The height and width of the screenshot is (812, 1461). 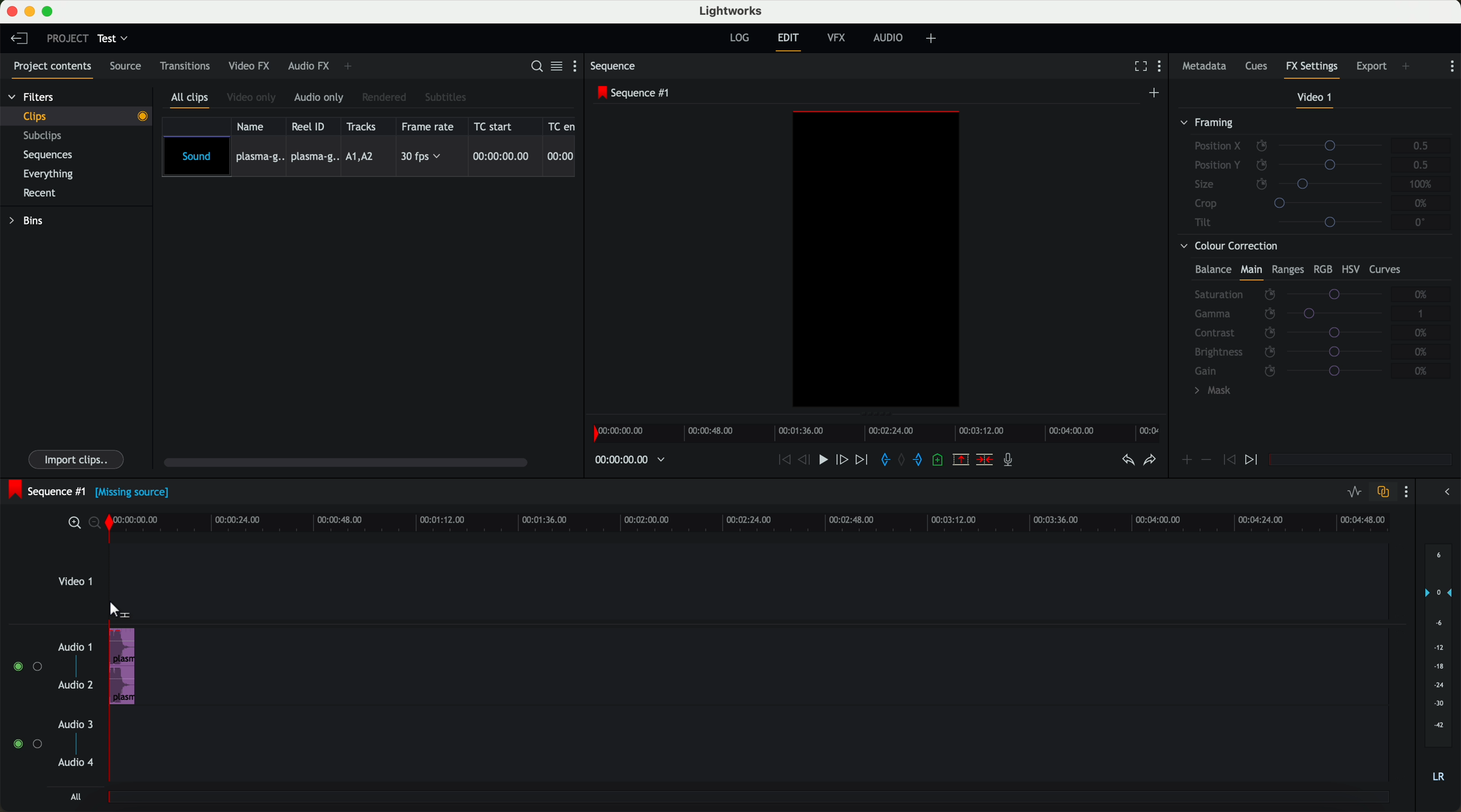 What do you see at coordinates (1312, 68) in the screenshot?
I see `FX settings` at bounding box center [1312, 68].